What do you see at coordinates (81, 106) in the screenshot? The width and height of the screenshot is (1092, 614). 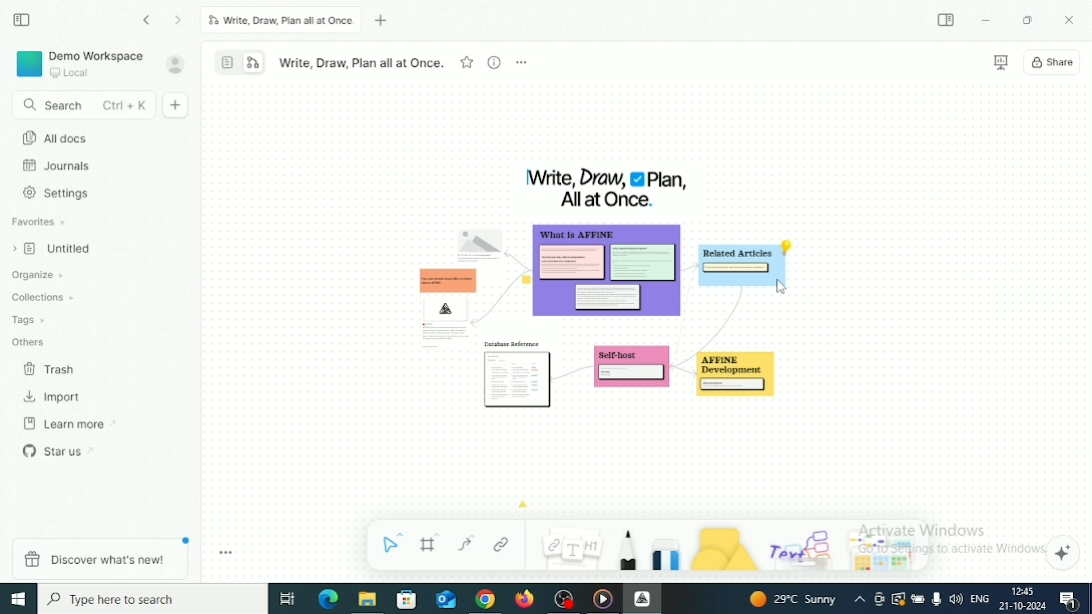 I see `Search` at bounding box center [81, 106].